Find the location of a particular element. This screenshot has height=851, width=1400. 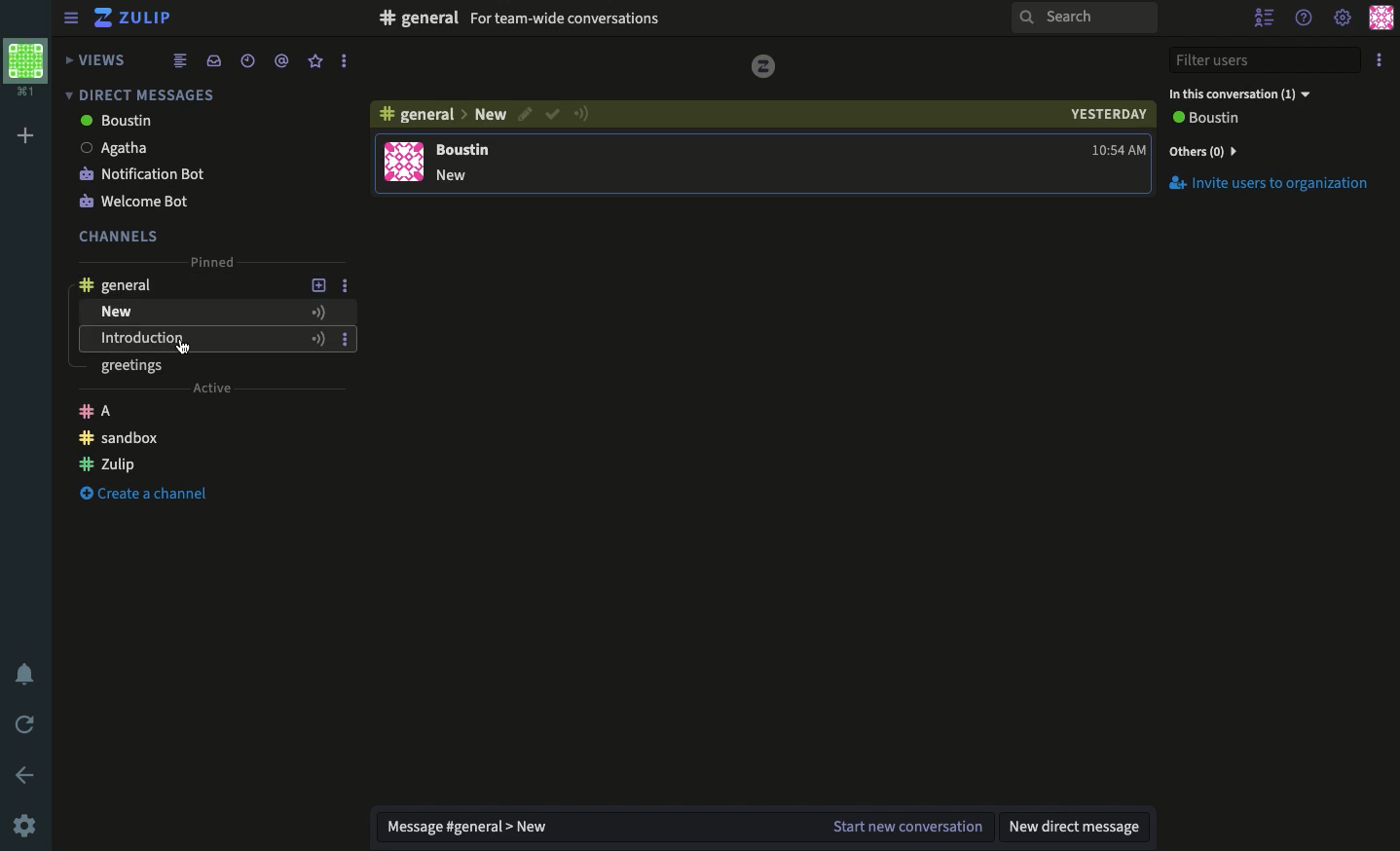

Feed is located at coordinates (180, 59).